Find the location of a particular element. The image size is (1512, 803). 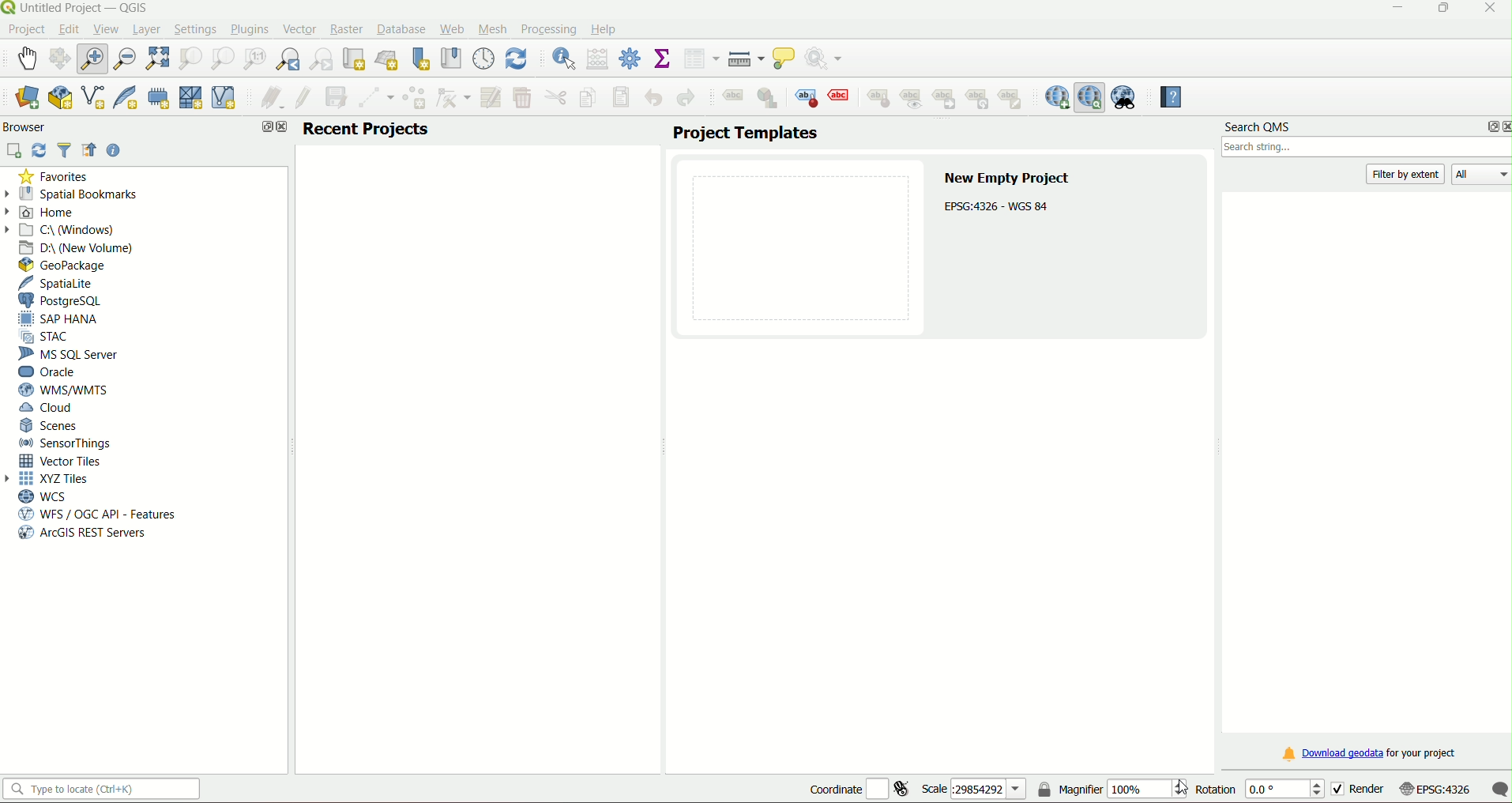

layer diagram is located at coordinates (769, 99).